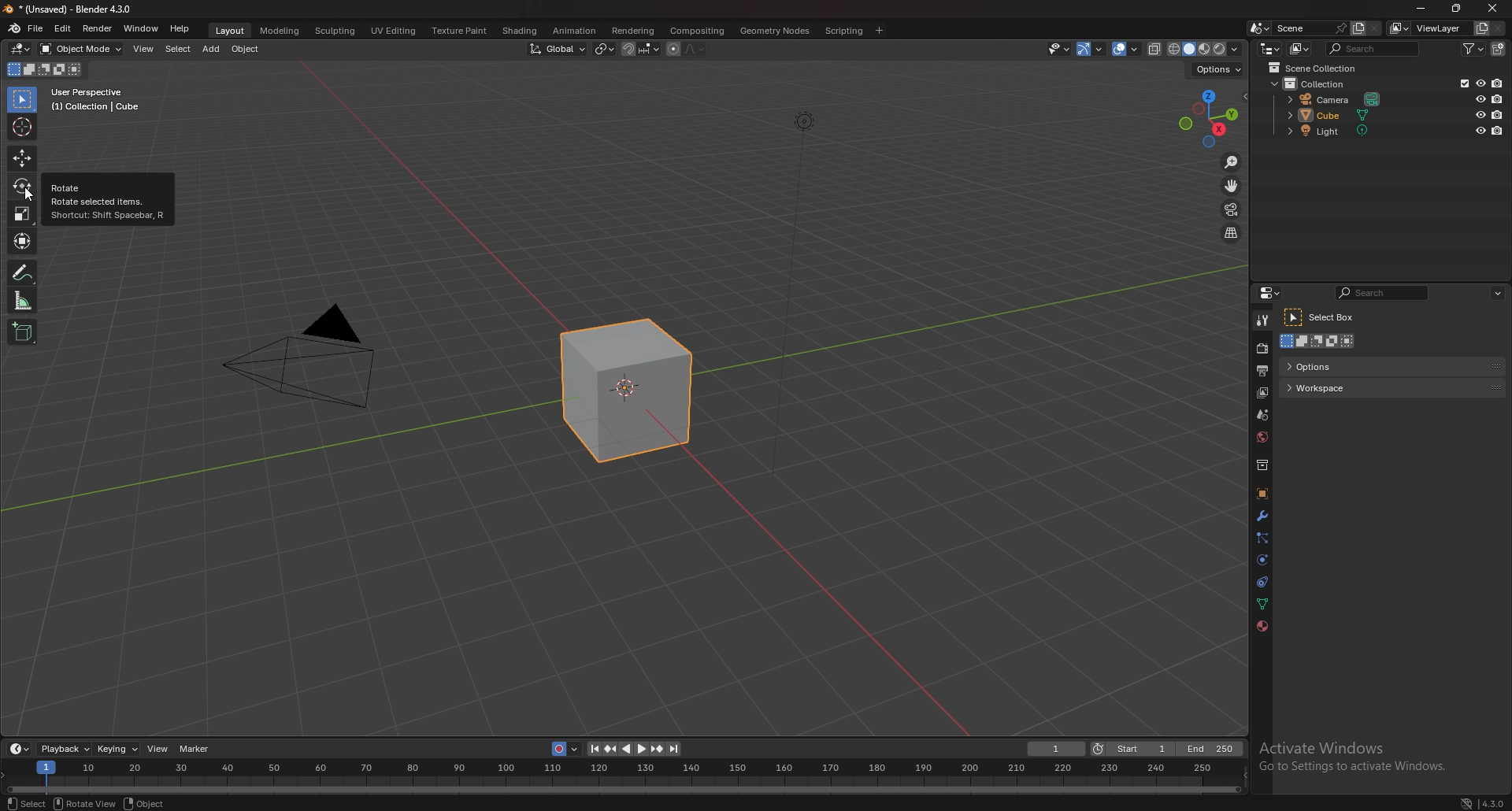 Image resolution: width=1512 pixels, height=811 pixels. What do you see at coordinates (1262, 494) in the screenshot?
I see `object` at bounding box center [1262, 494].